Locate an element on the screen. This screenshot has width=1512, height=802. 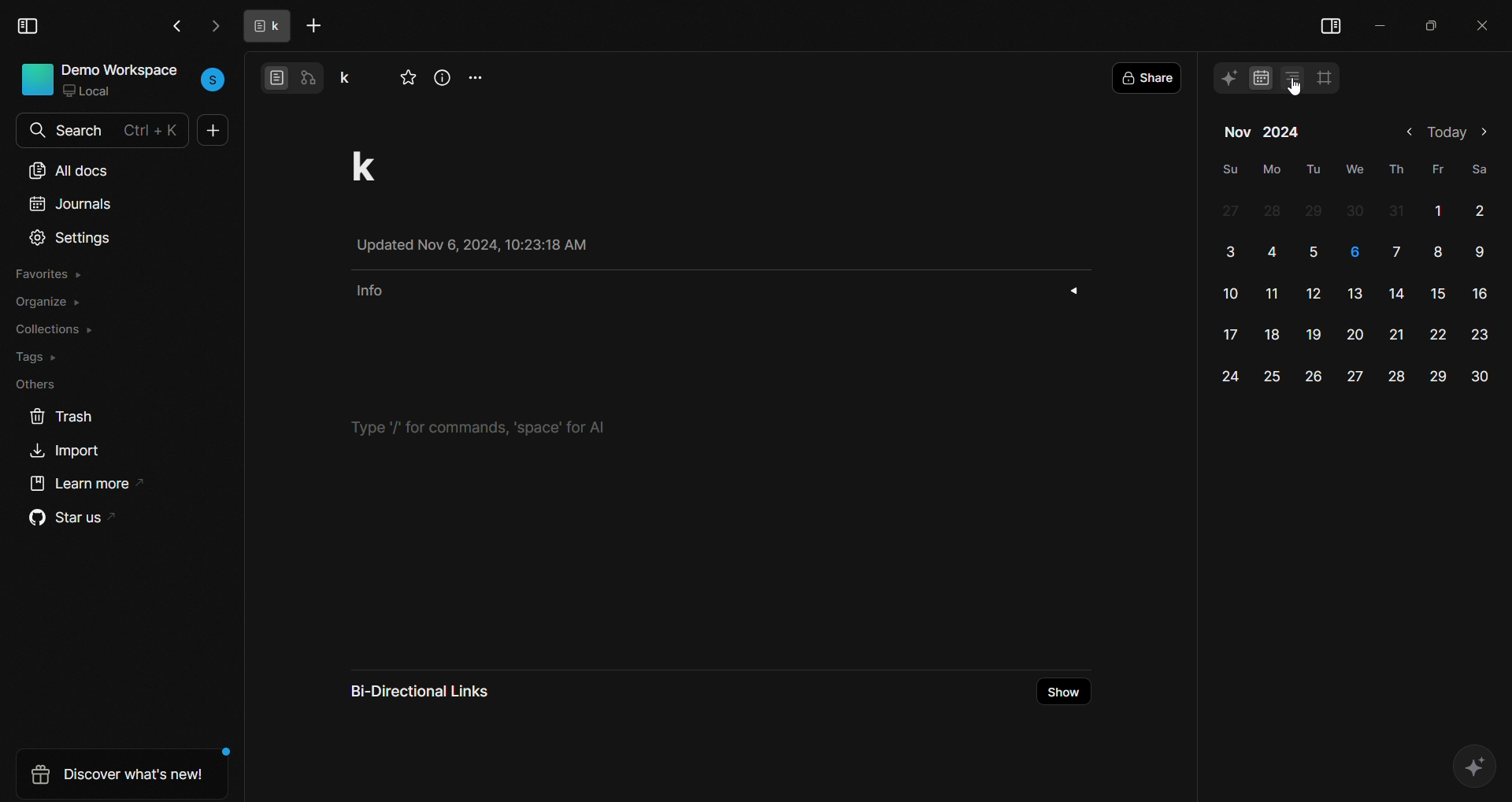
go next is located at coordinates (213, 26).